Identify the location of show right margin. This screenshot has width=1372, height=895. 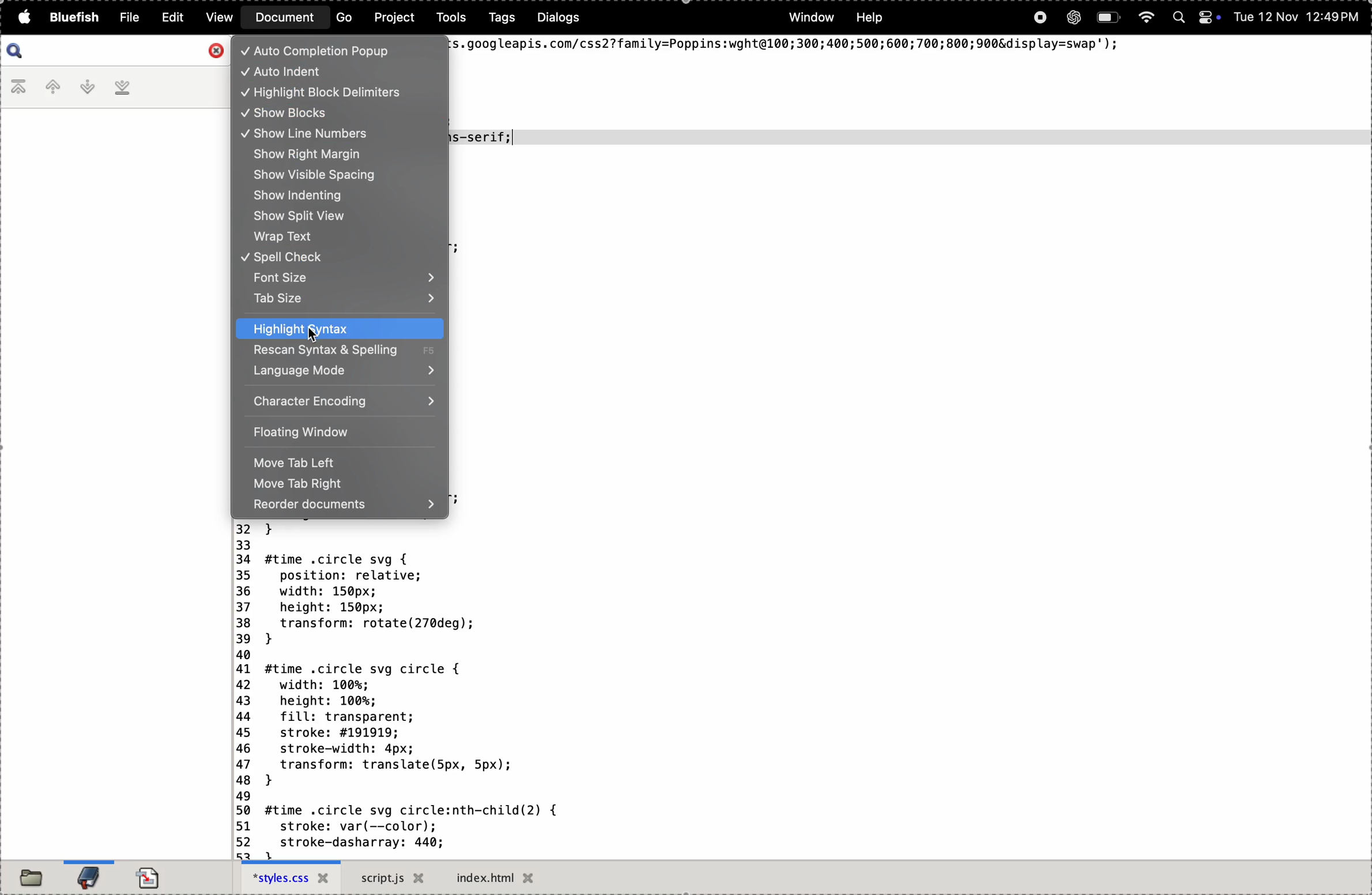
(342, 155).